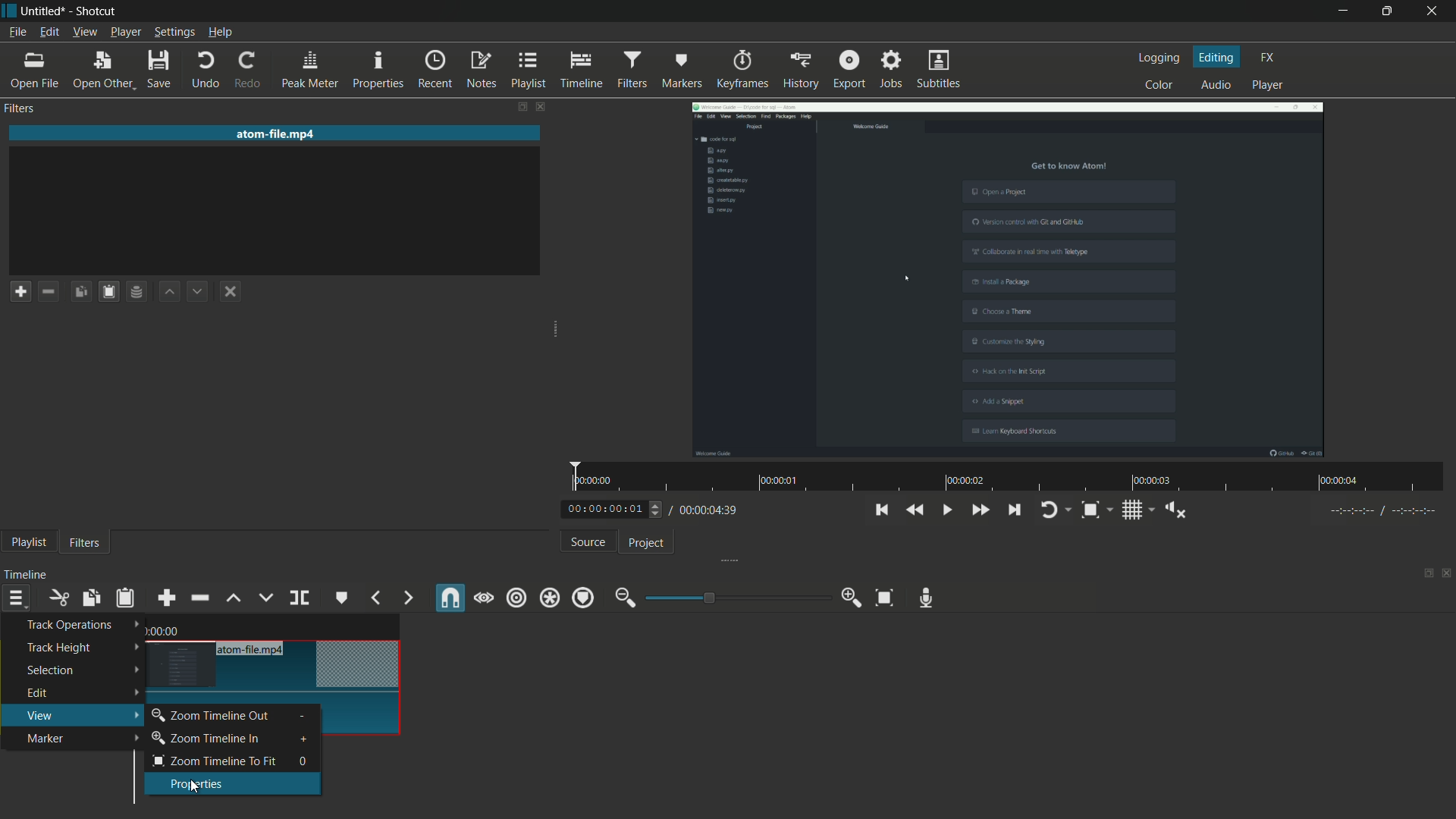 This screenshot has width=1456, height=819. Describe the element at coordinates (137, 291) in the screenshot. I see `save filter set` at that location.